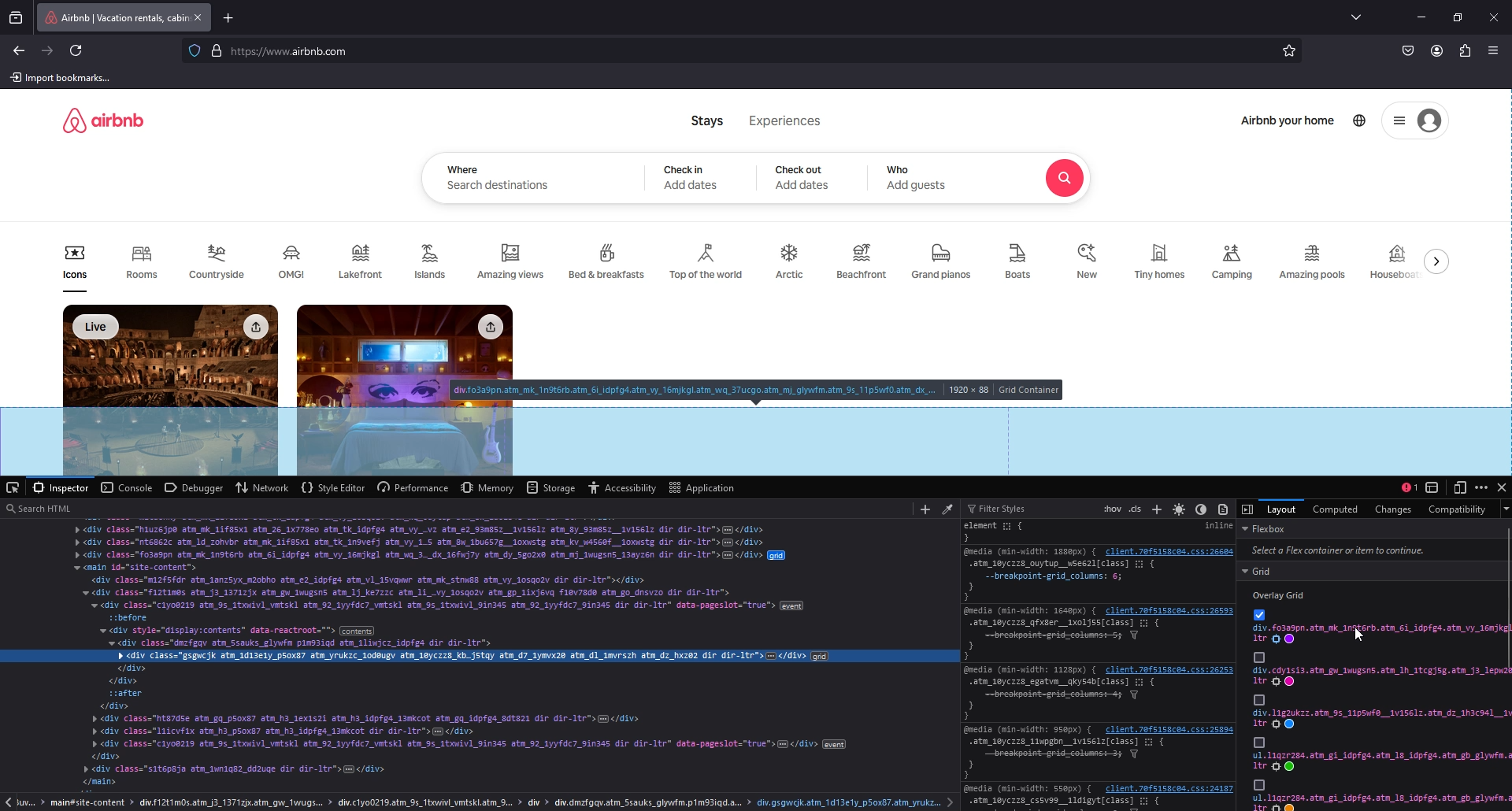 The image size is (1512, 811). I want to click on media query , so click(1032, 669).